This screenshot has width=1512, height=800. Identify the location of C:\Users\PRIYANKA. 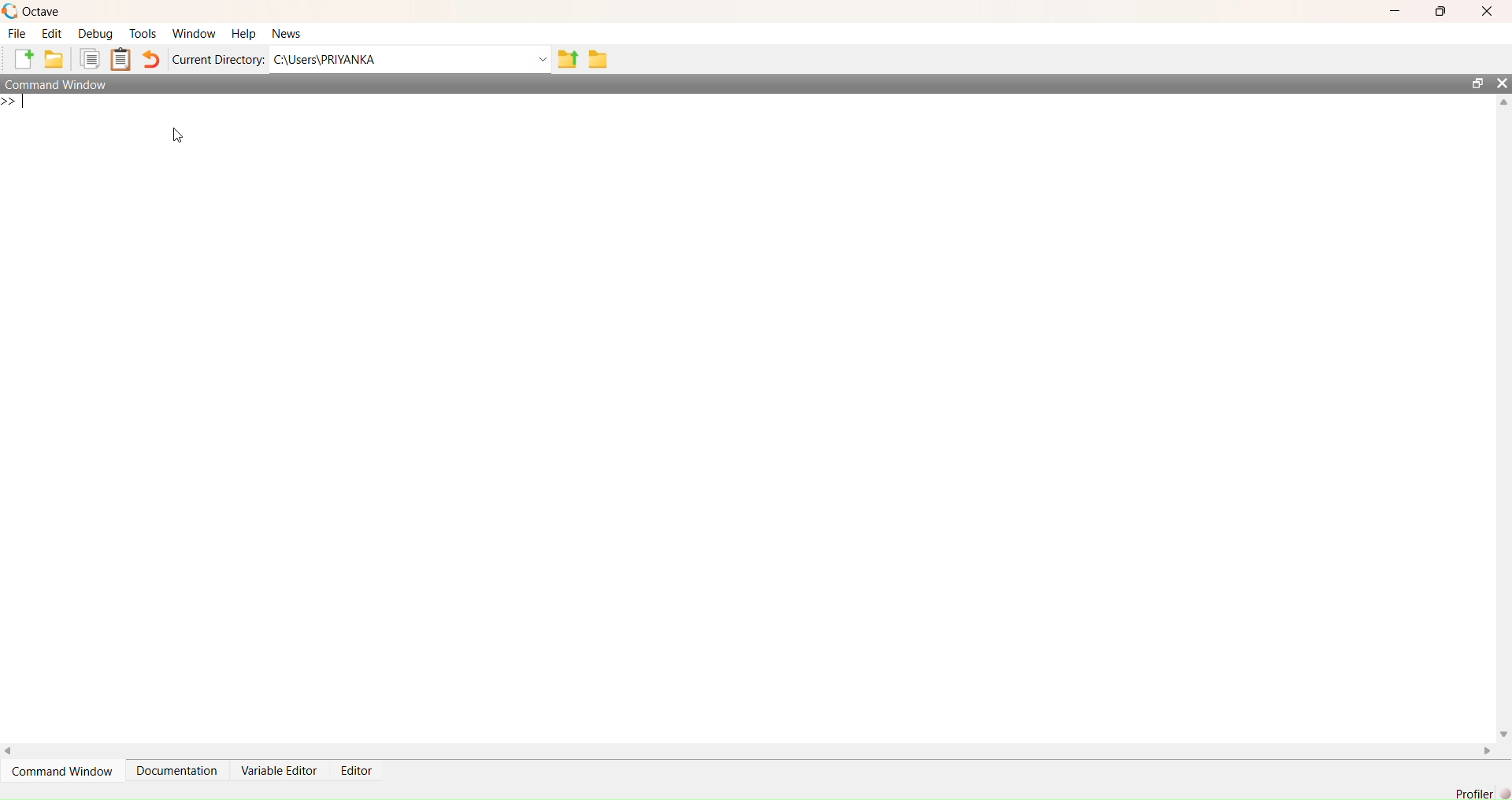
(343, 59).